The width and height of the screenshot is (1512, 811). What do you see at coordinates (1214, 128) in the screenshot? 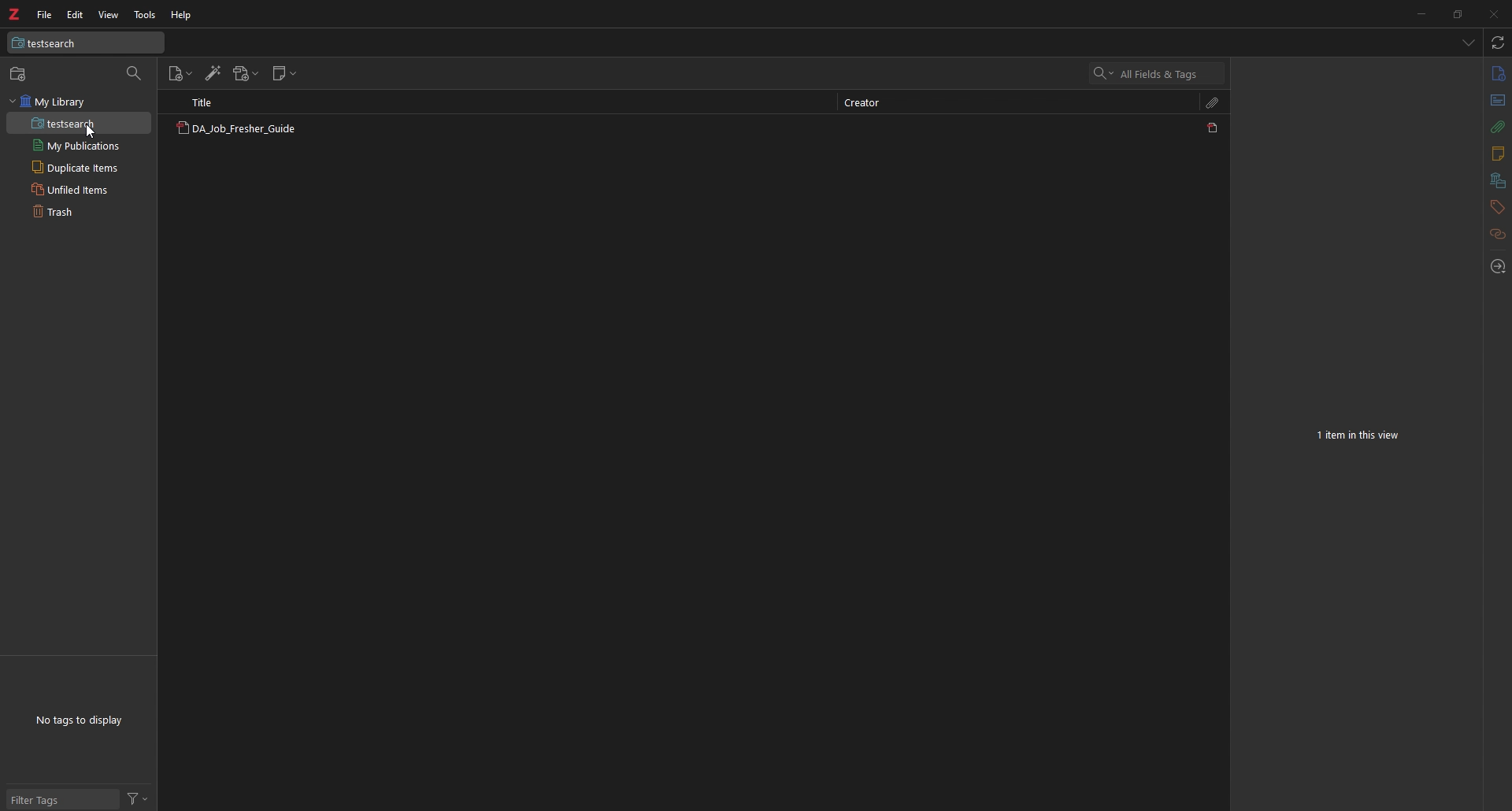
I see `pdf` at bounding box center [1214, 128].